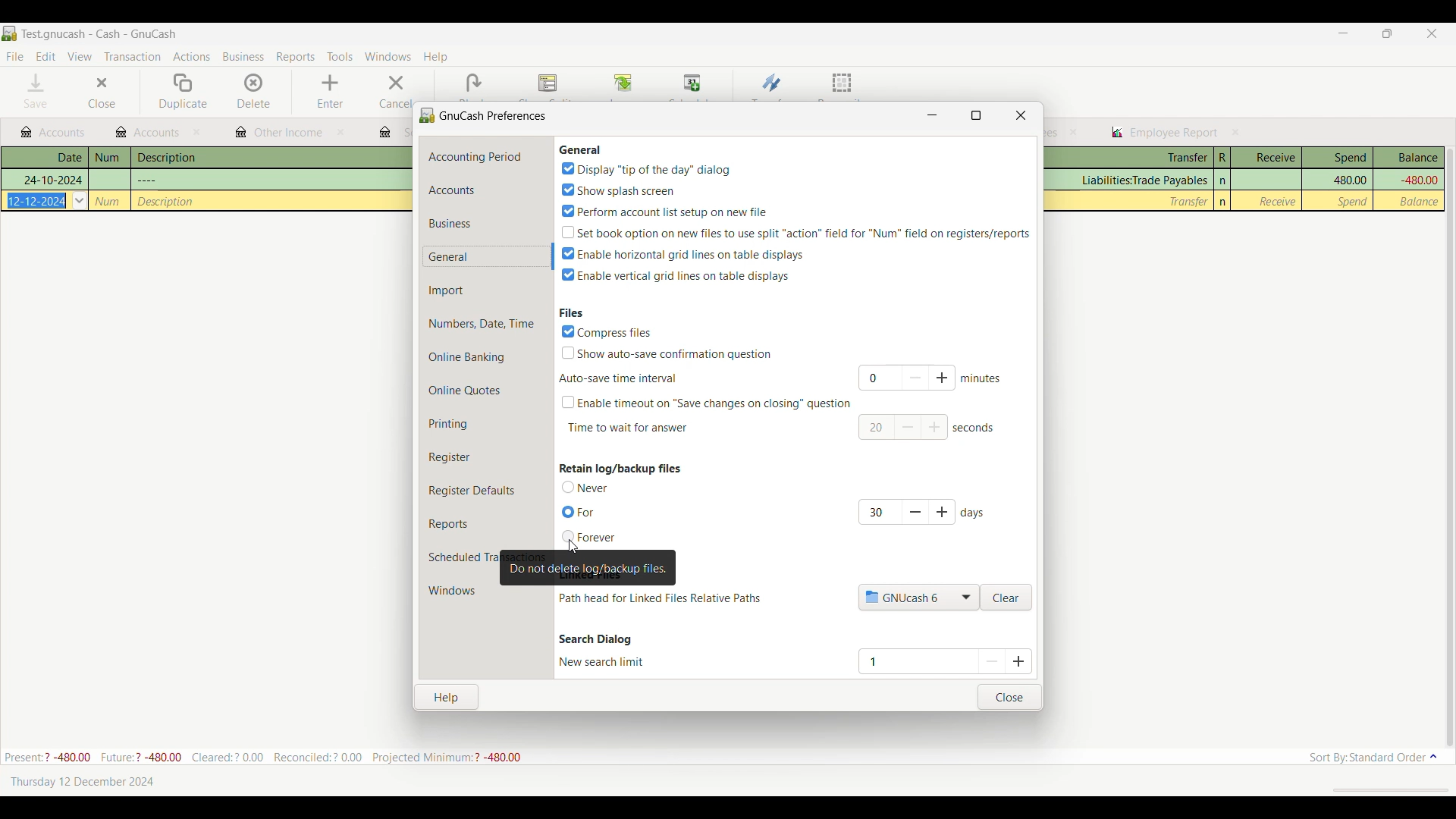  I want to click on Current sort order, so click(1373, 758).